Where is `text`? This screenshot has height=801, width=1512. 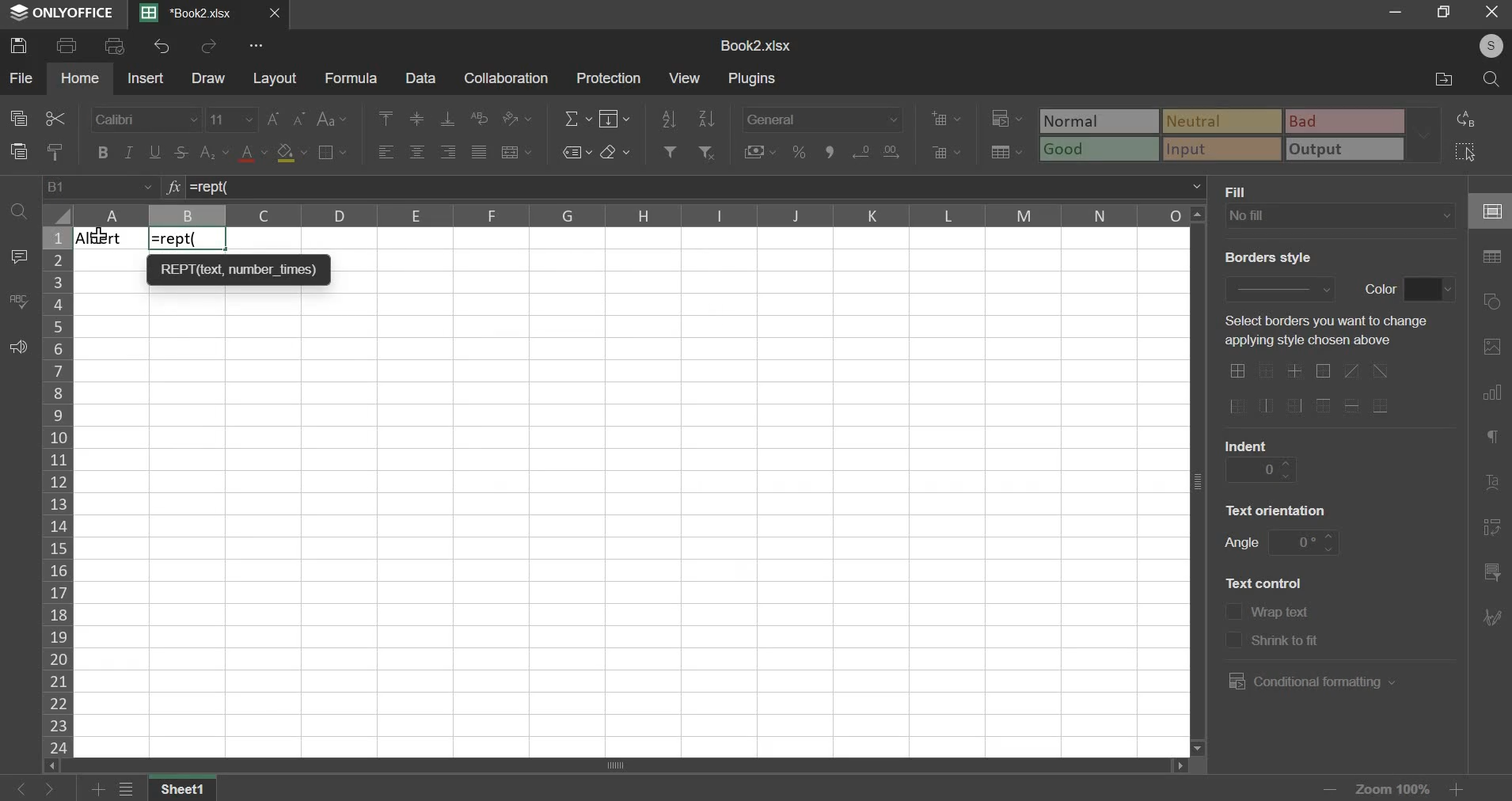
text is located at coordinates (1381, 291).